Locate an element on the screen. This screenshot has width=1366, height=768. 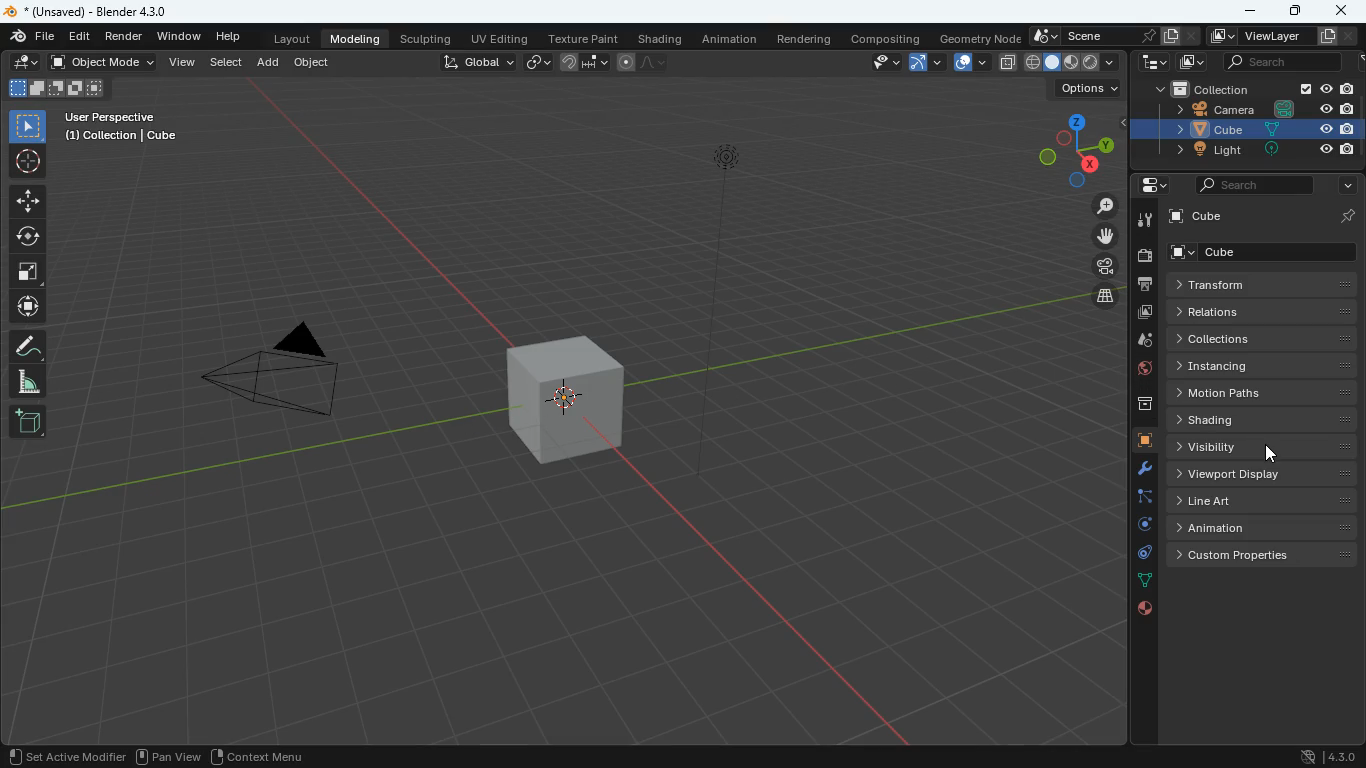
select is located at coordinates (27, 126).